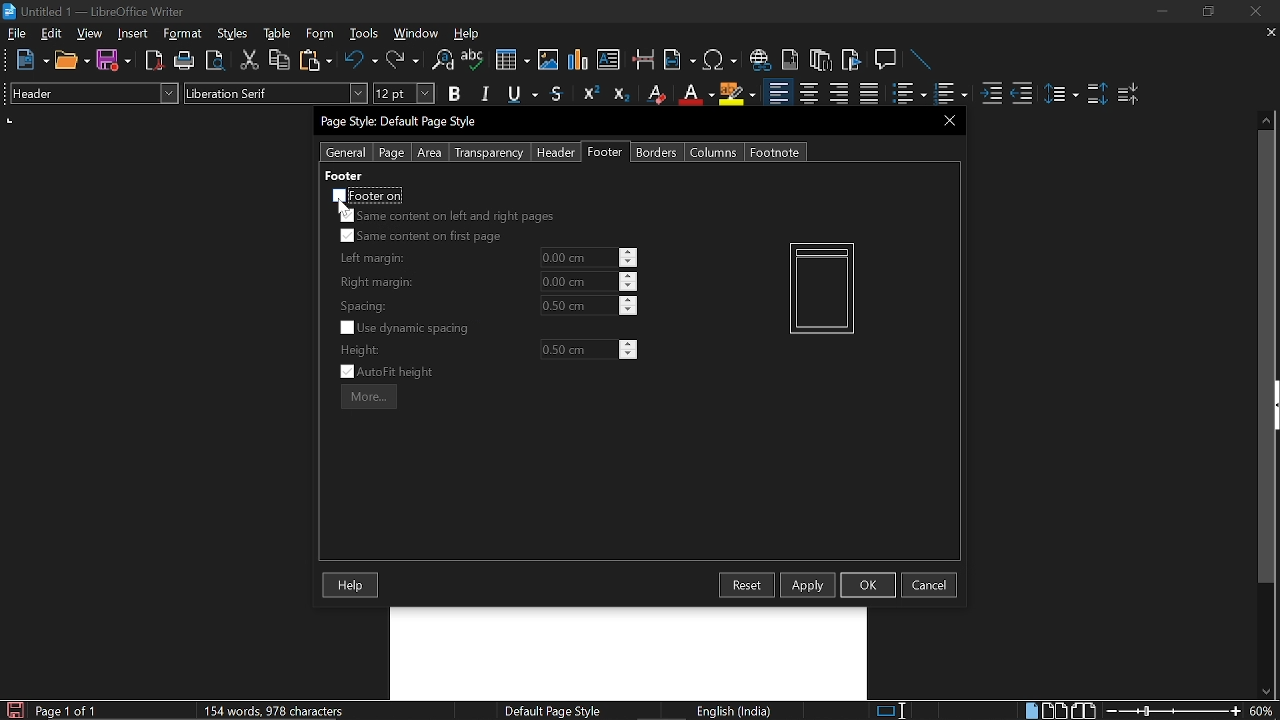 Image resolution: width=1280 pixels, height=720 pixels. What do you see at coordinates (400, 372) in the screenshot?
I see `Auto fit height` at bounding box center [400, 372].